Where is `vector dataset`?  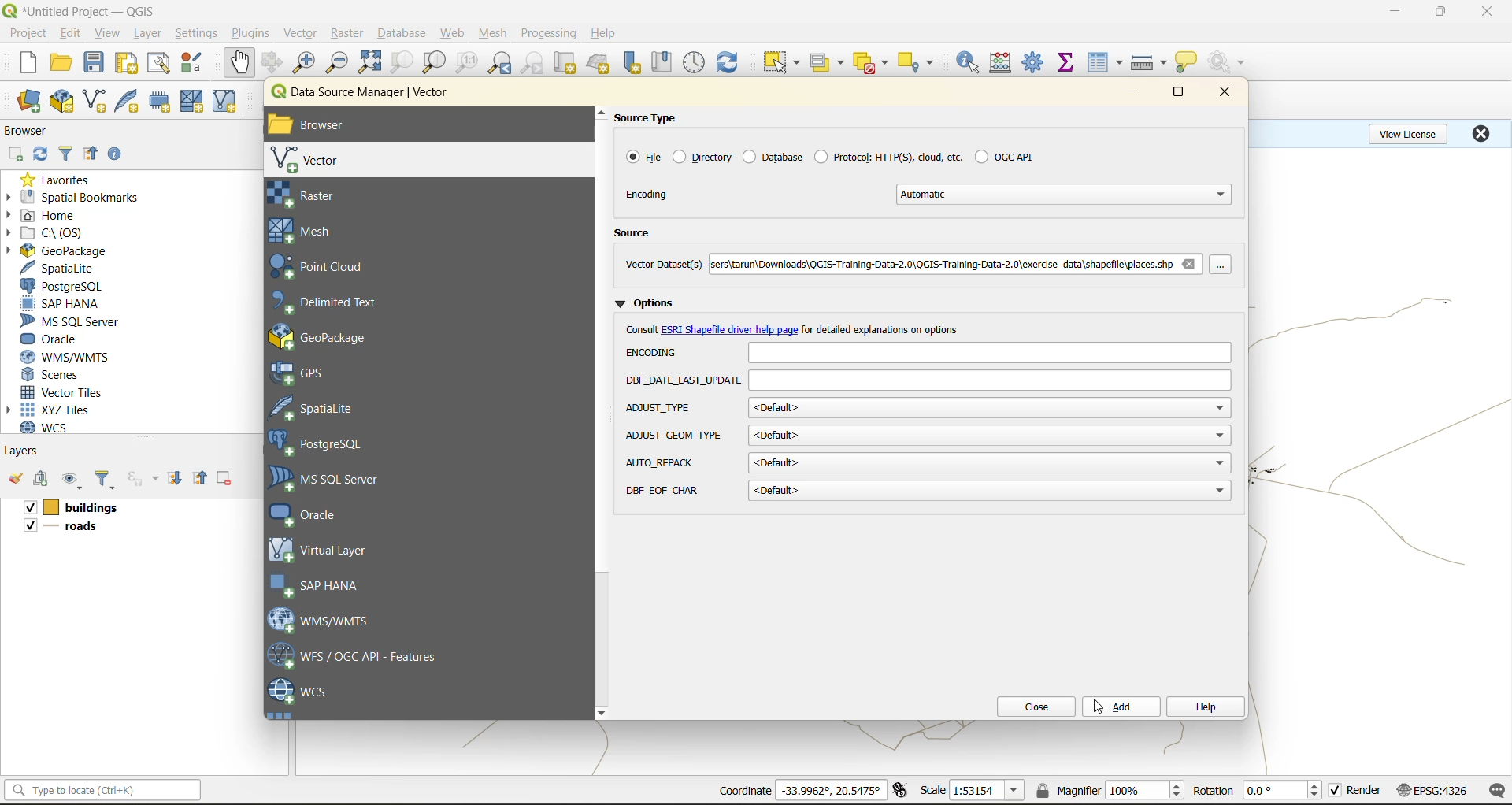
vector dataset is located at coordinates (663, 263).